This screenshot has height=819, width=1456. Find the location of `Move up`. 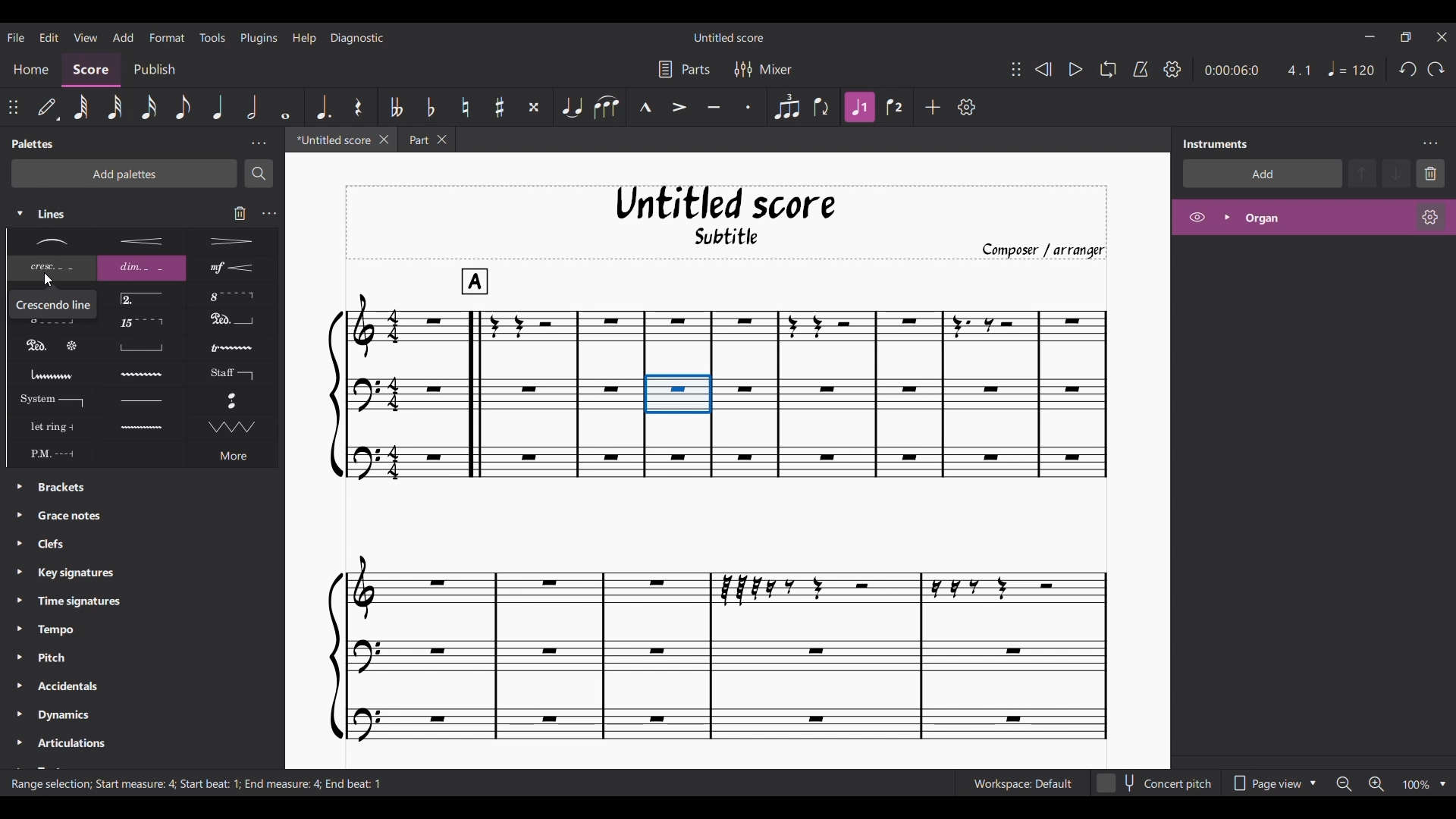

Move up is located at coordinates (1362, 174).